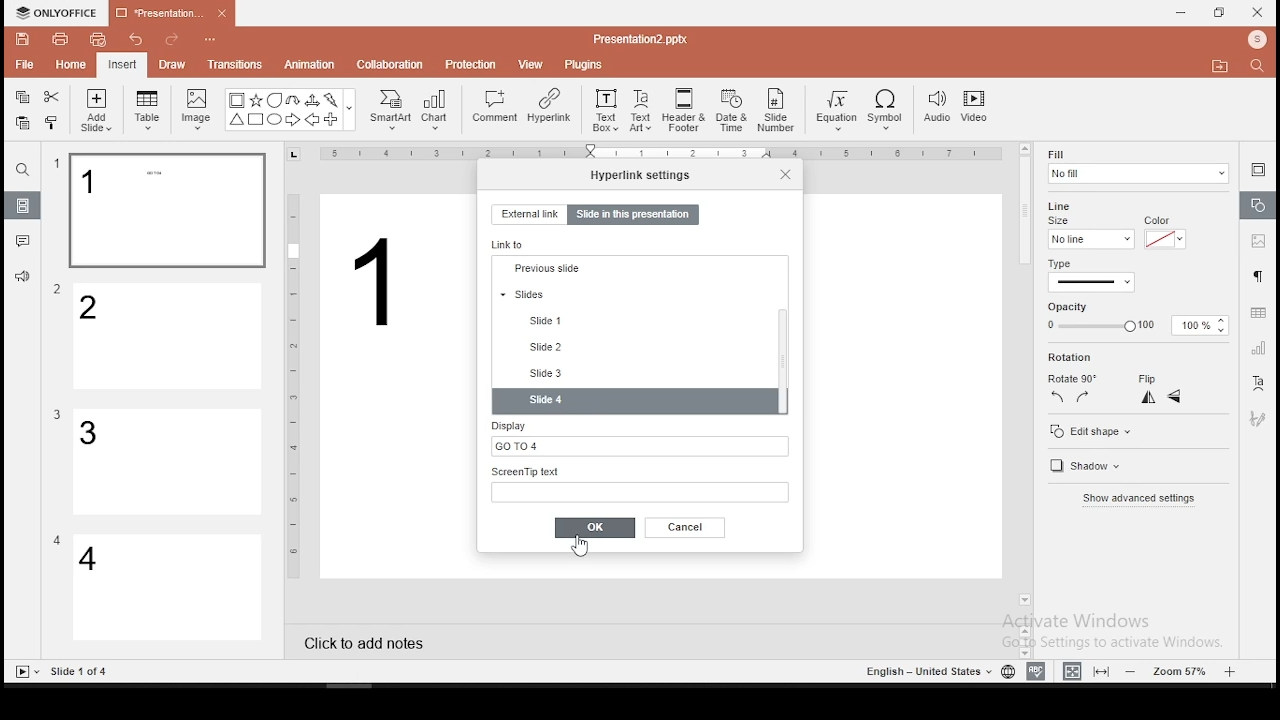 The width and height of the screenshot is (1280, 720). What do you see at coordinates (23, 241) in the screenshot?
I see `comments` at bounding box center [23, 241].